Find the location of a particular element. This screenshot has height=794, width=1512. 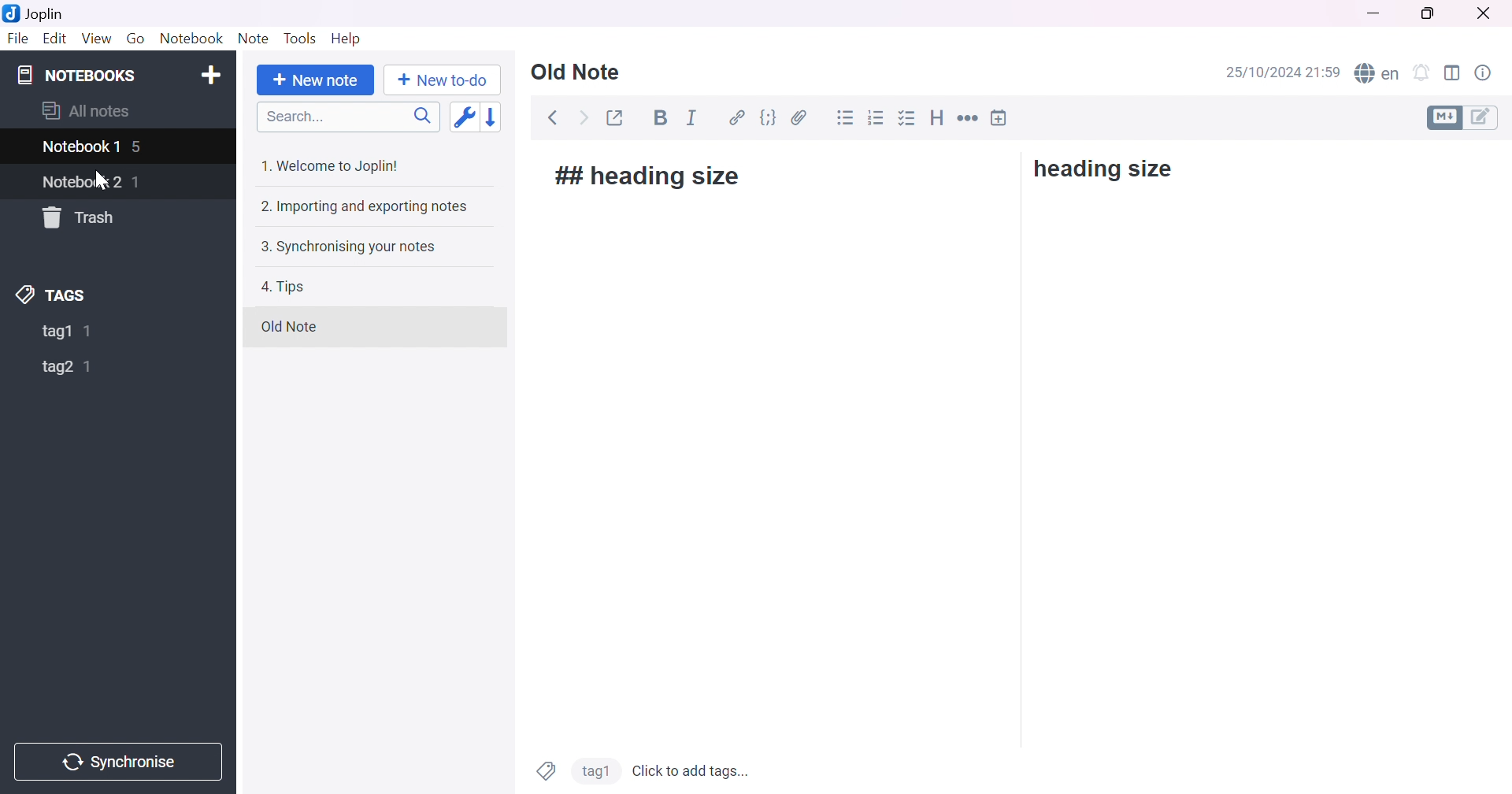

 is located at coordinates (1015, 351).